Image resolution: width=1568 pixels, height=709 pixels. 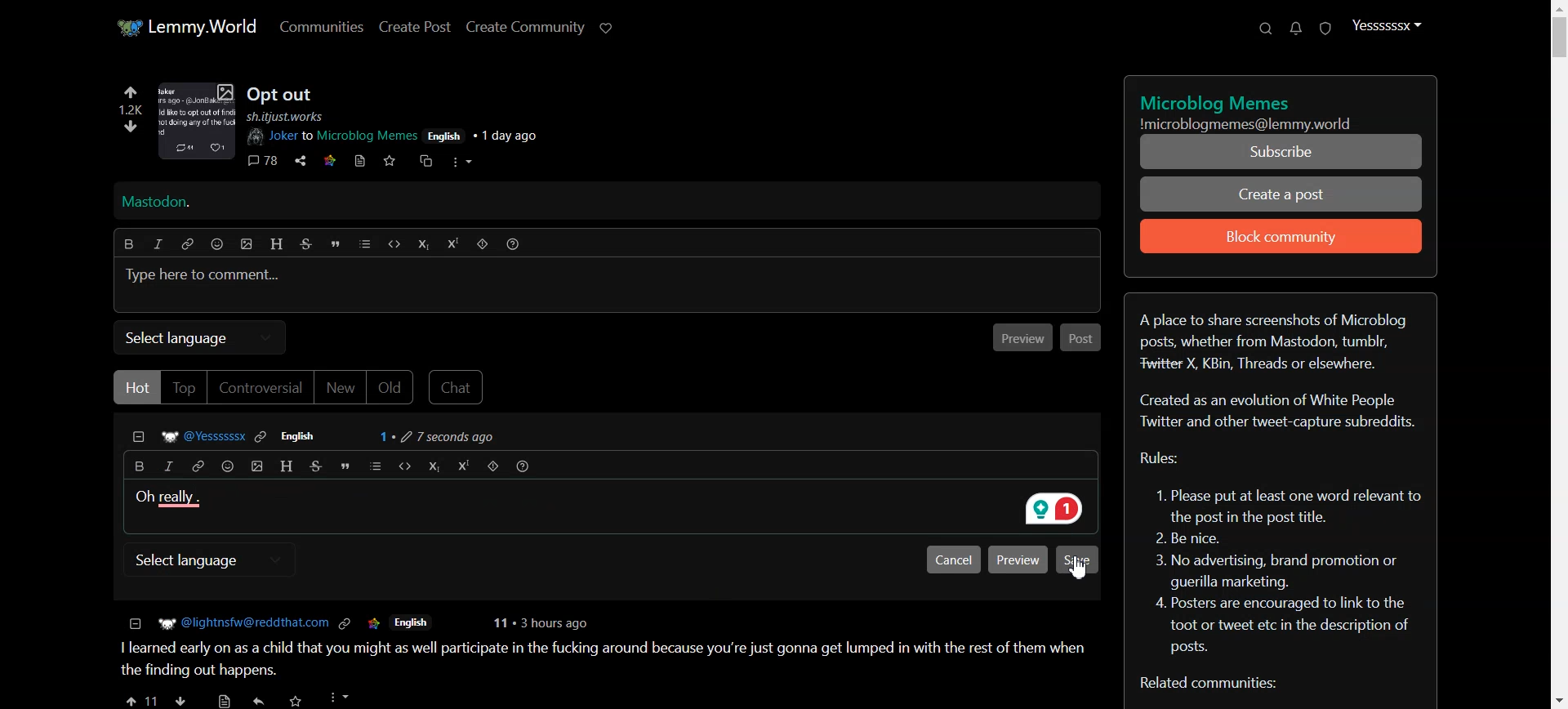 I want to click on Block community, so click(x=1281, y=236).